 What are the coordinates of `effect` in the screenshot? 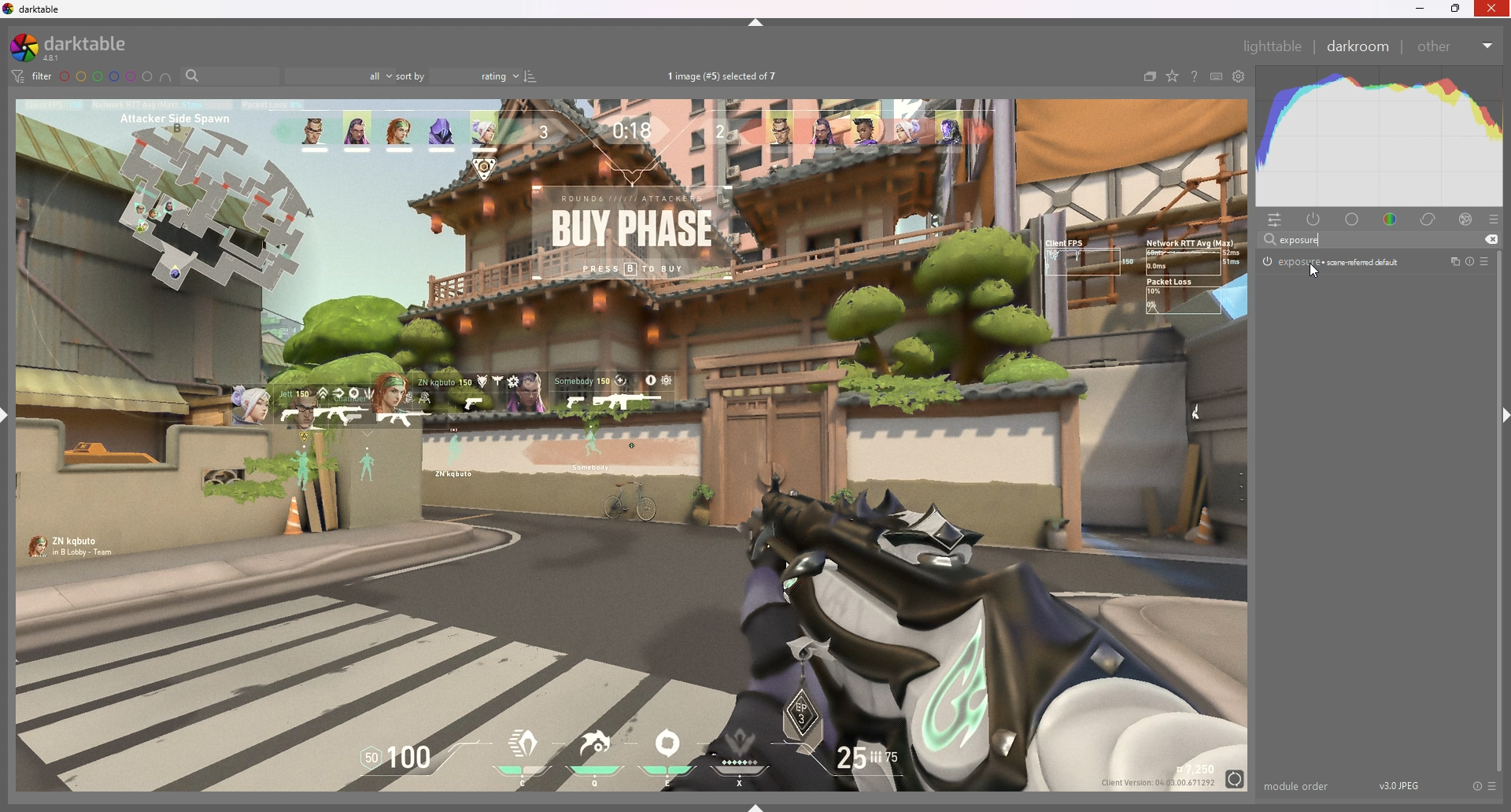 It's located at (1466, 220).